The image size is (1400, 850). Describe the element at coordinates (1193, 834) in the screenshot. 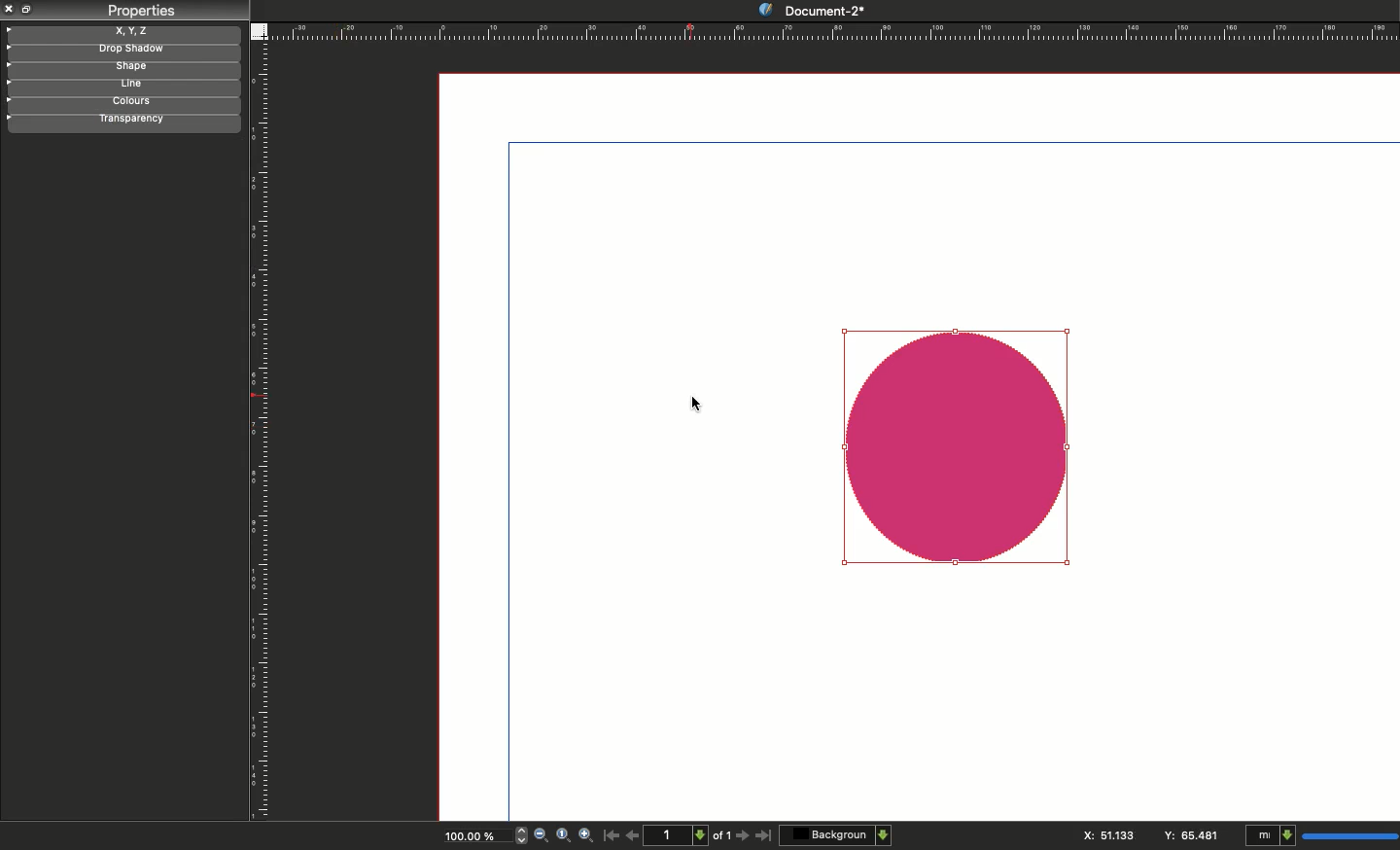

I see `Y: 84.706` at that location.